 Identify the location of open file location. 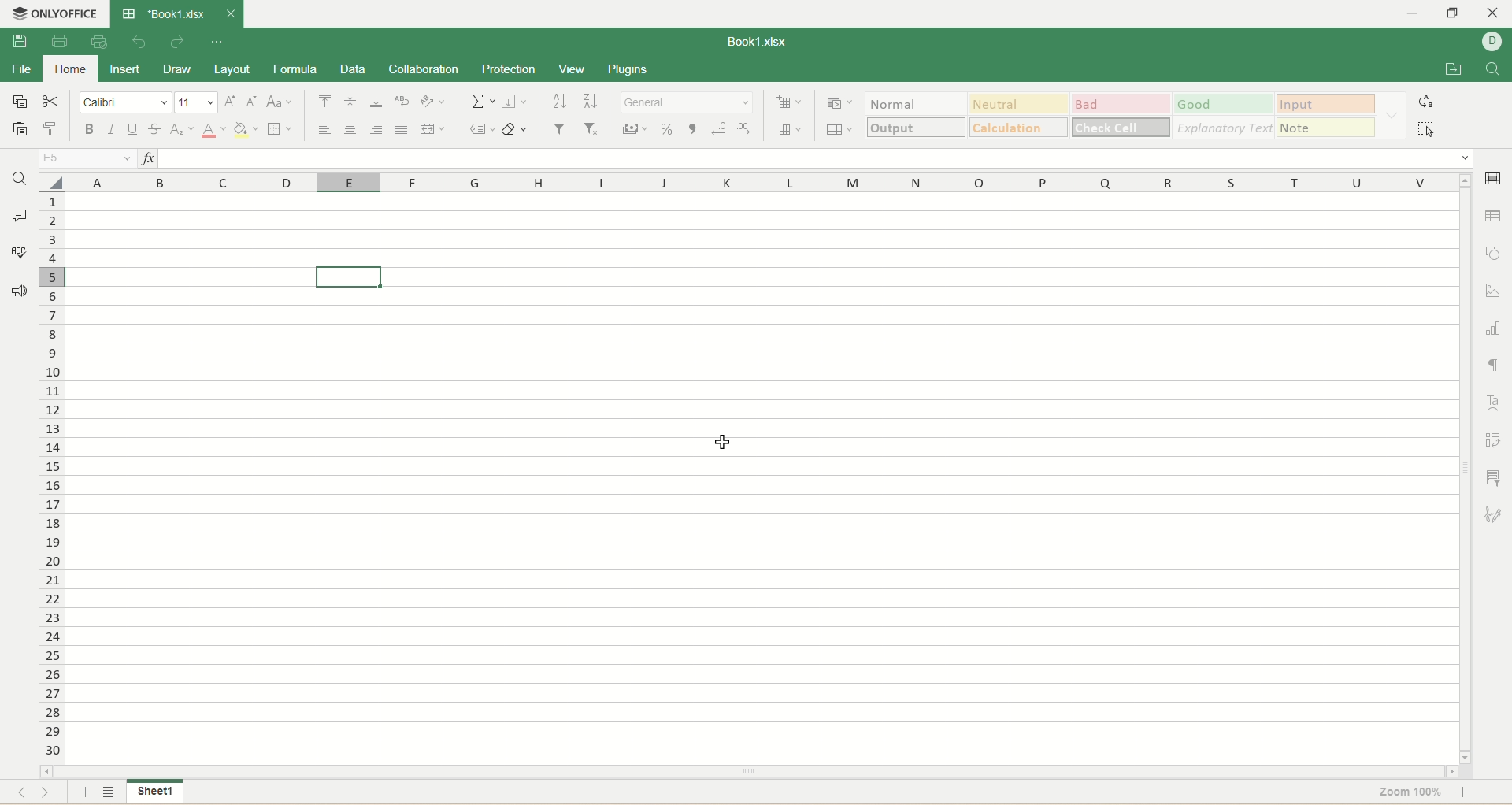
(1448, 71).